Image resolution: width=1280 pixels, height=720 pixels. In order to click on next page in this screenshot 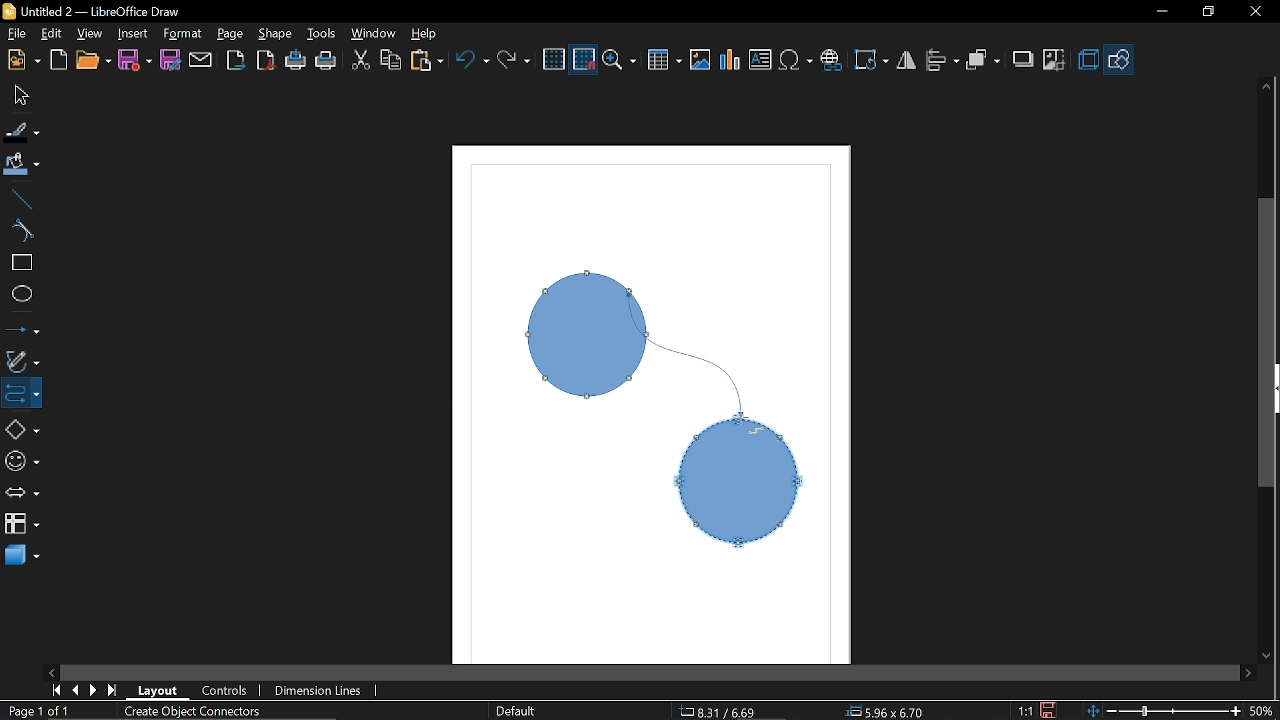, I will do `click(94, 689)`.